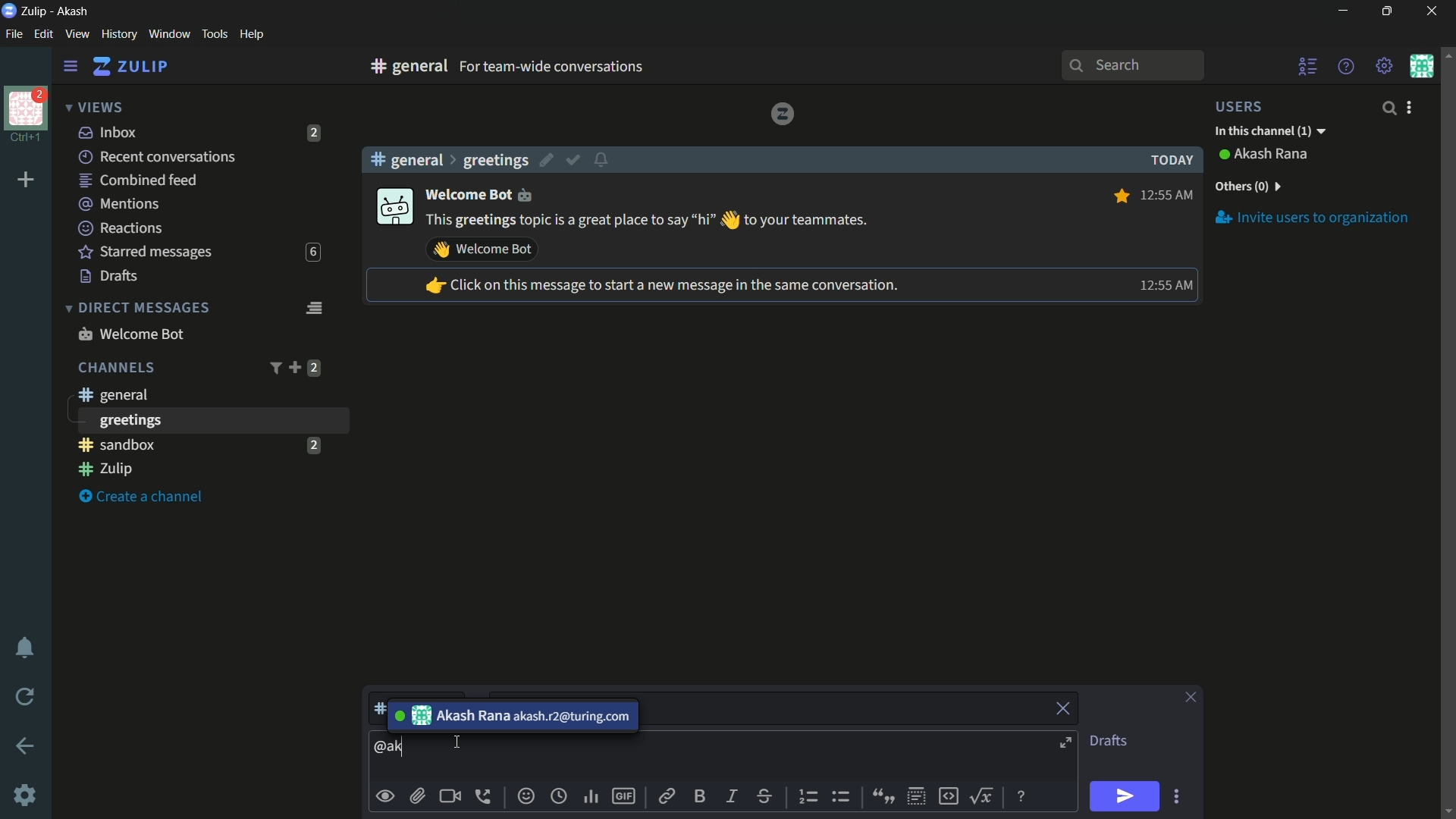  I want to click on Settings, so click(25, 795).